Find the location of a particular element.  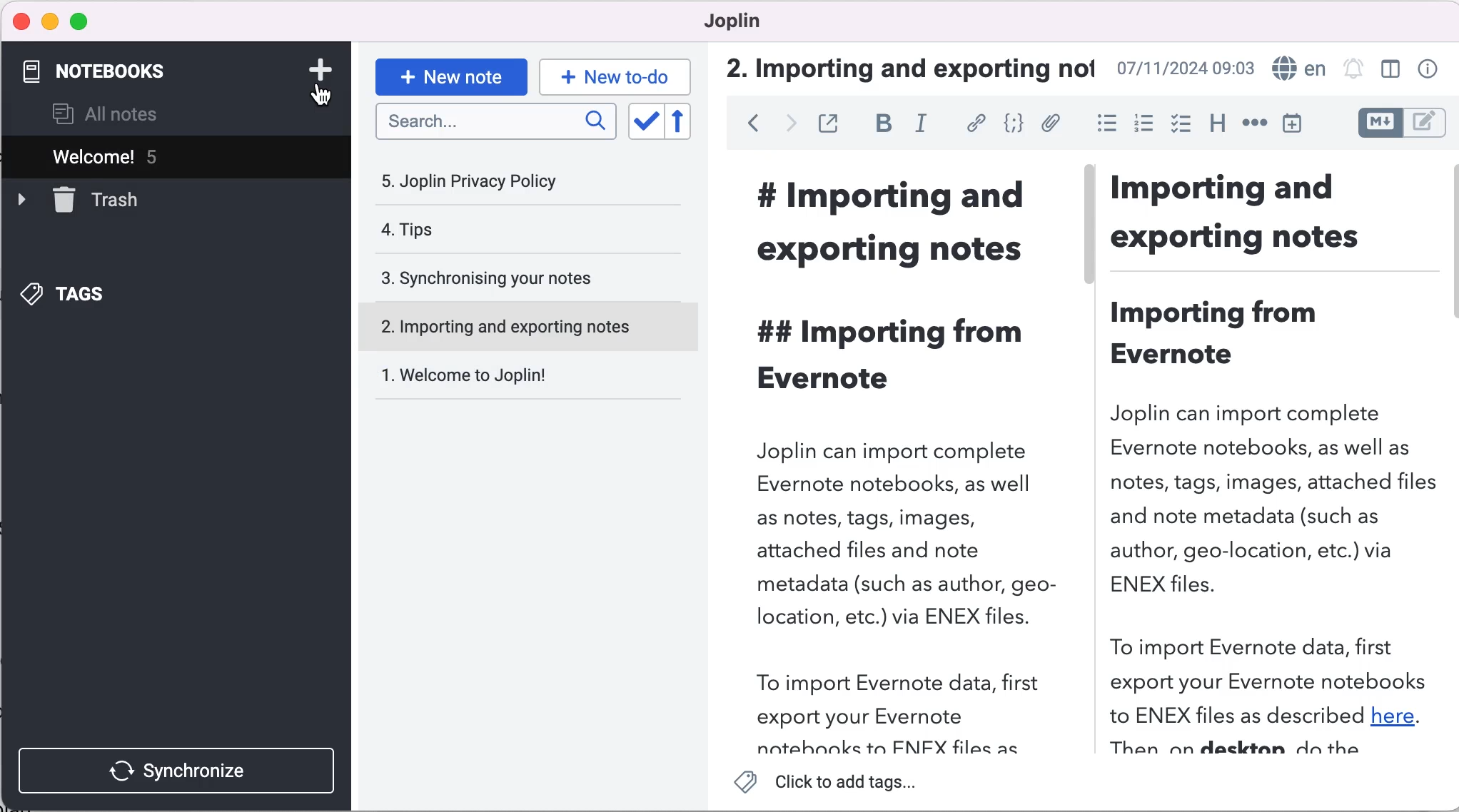

toggle editors is located at coordinates (1402, 125).